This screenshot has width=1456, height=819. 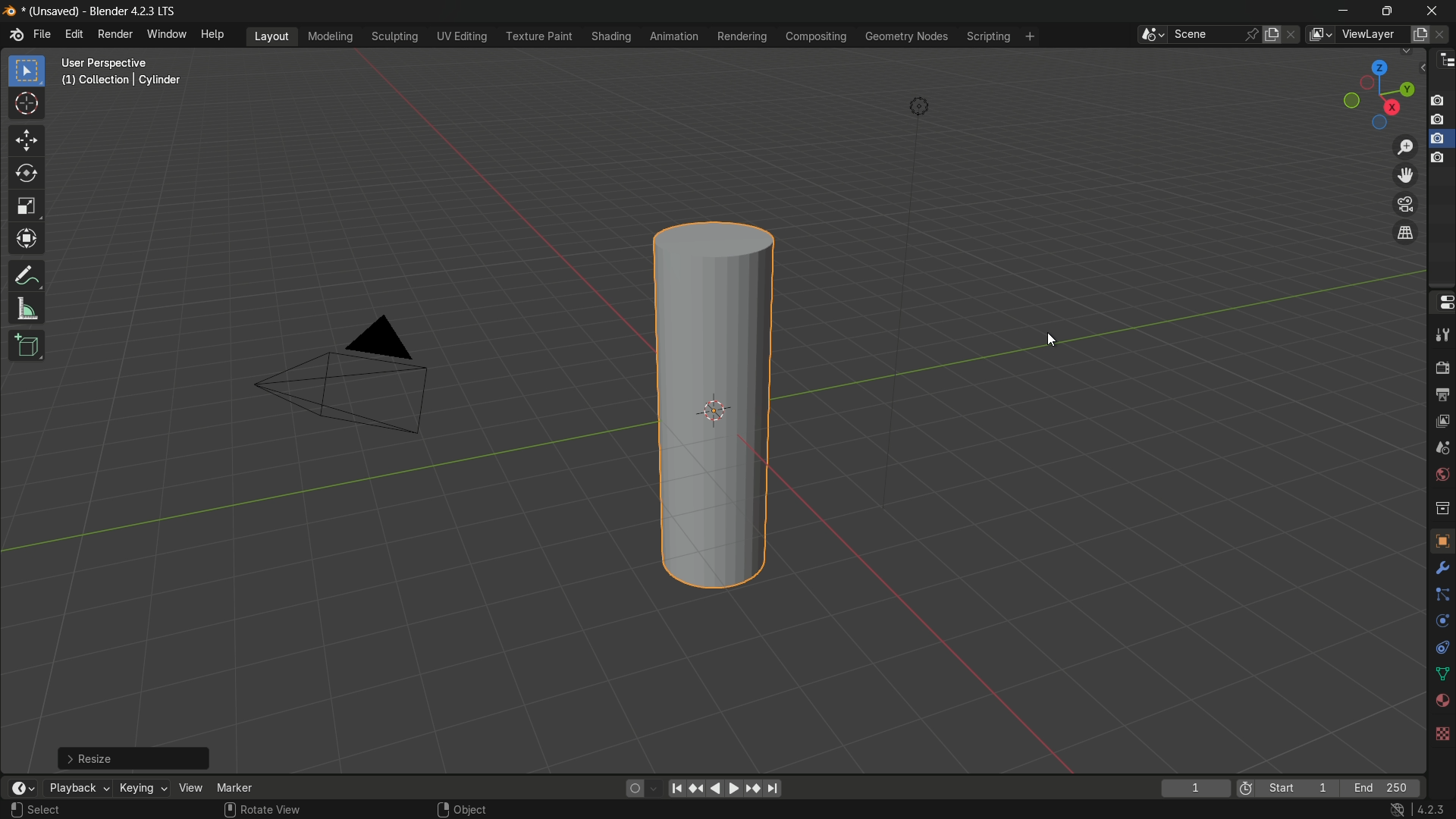 What do you see at coordinates (1405, 232) in the screenshot?
I see `switch current view` at bounding box center [1405, 232].